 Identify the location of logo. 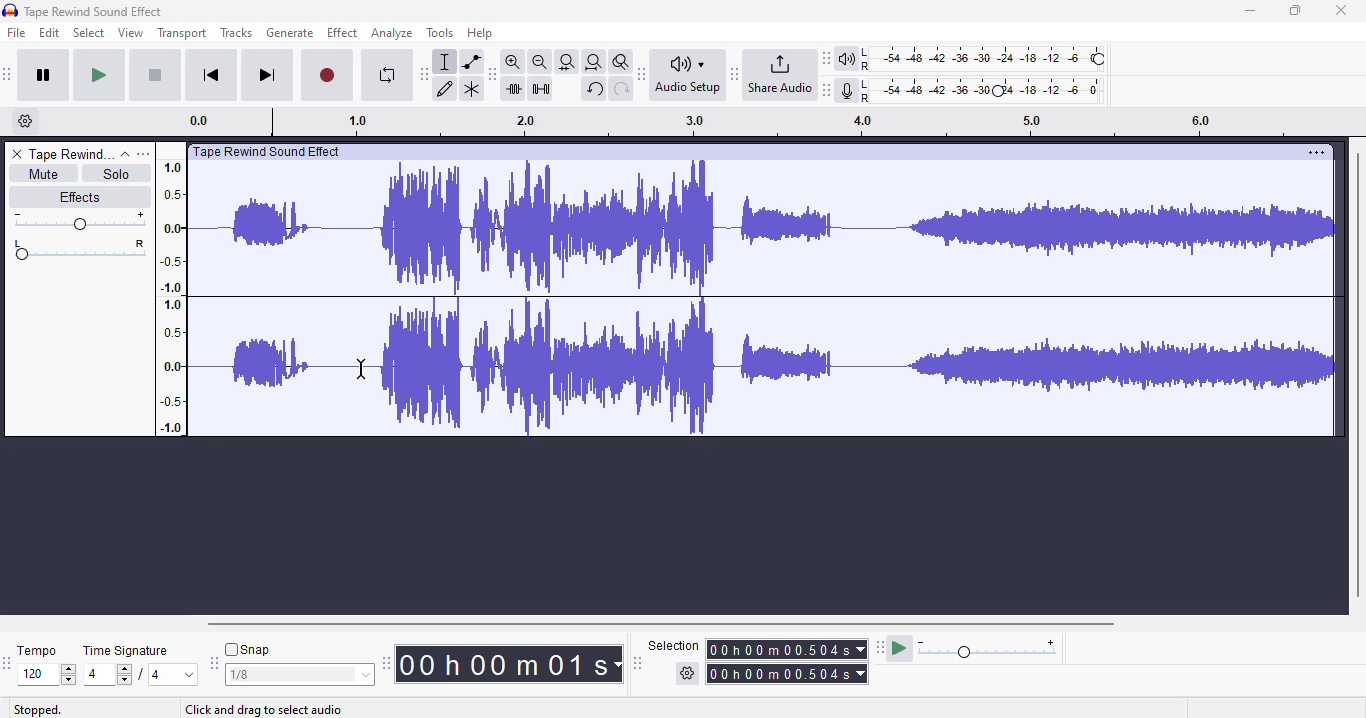
(10, 10).